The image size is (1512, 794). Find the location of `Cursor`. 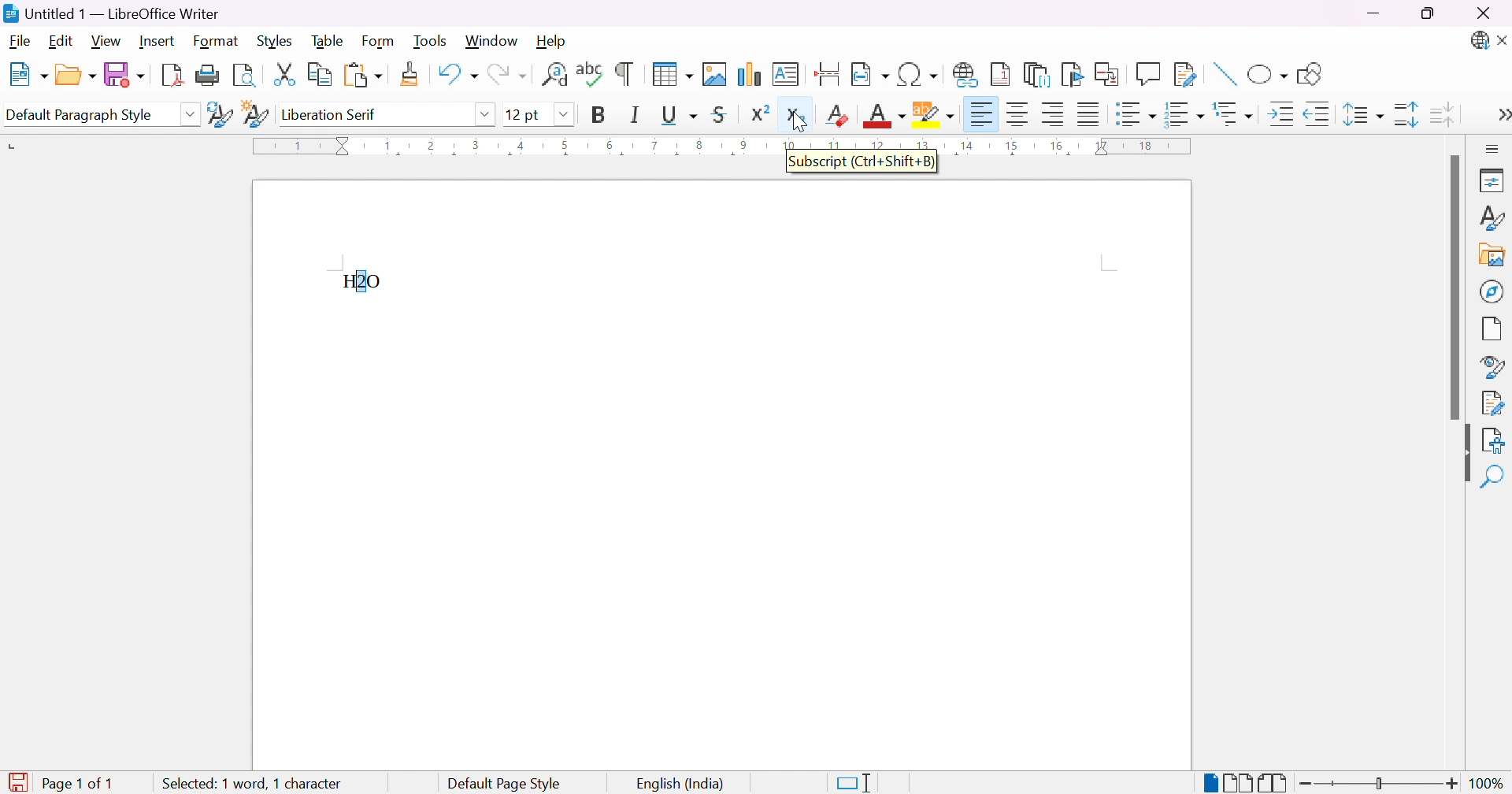

Cursor is located at coordinates (797, 124).